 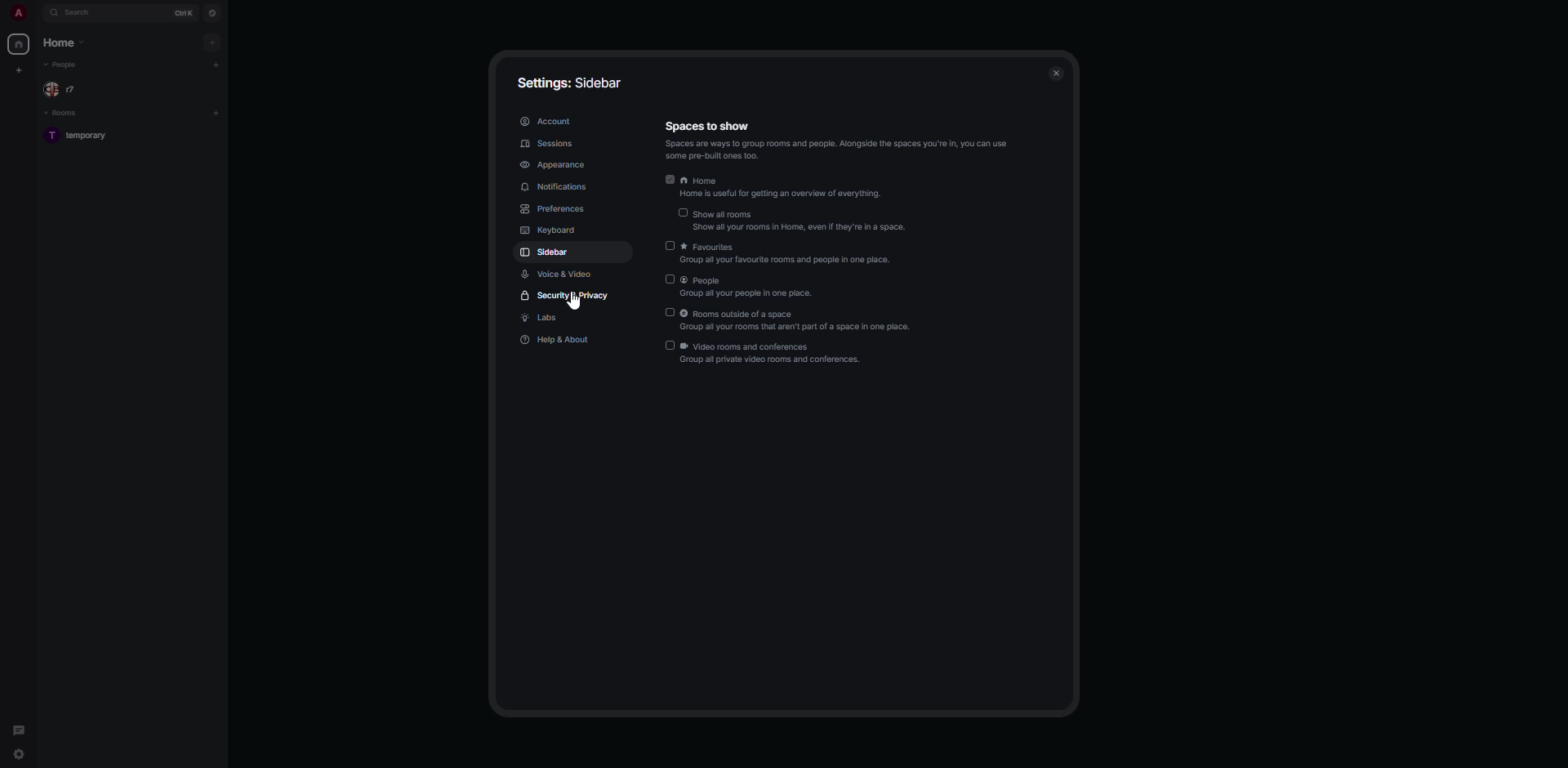 What do you see at coordinates (556, 342) in the screenshot?
I see `help & about` at bounding box center [556, 342].